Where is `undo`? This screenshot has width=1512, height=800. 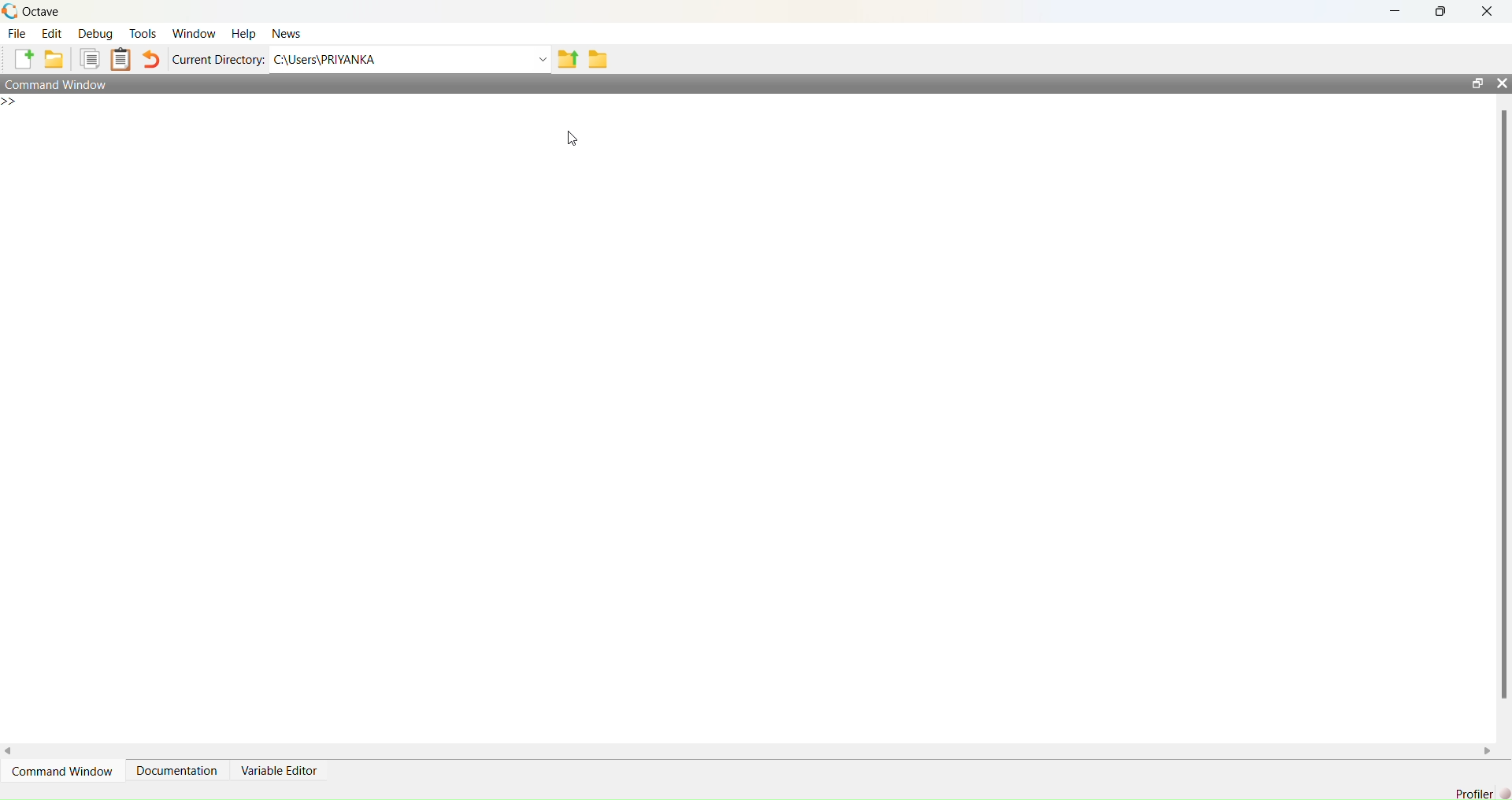
undo is located at coordinates (153, 58).